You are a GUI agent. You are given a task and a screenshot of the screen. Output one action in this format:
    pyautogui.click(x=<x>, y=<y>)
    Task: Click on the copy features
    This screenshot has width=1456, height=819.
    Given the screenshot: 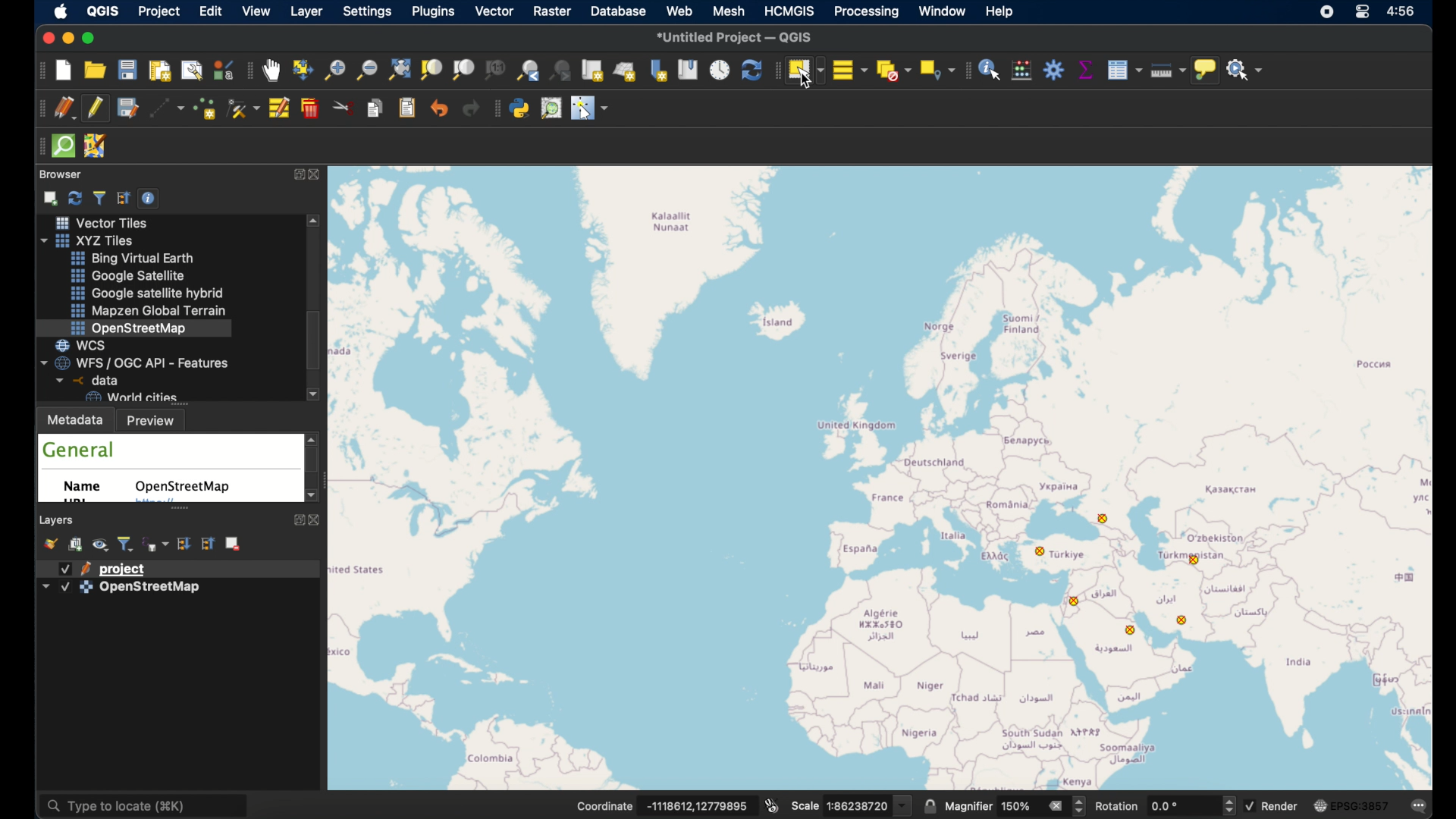 What is the action you would take?
    pyautogui.click(x=377, y=110)
    